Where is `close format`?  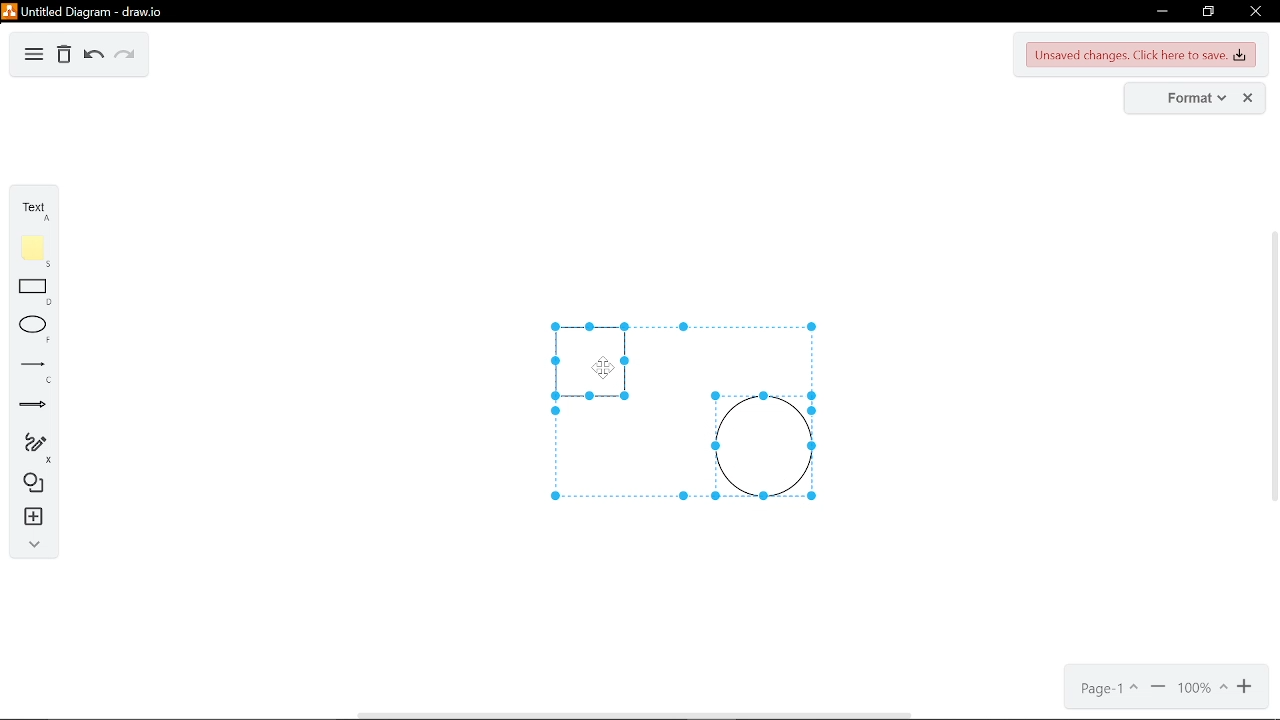 close format is located at coordinates (1247, 98).